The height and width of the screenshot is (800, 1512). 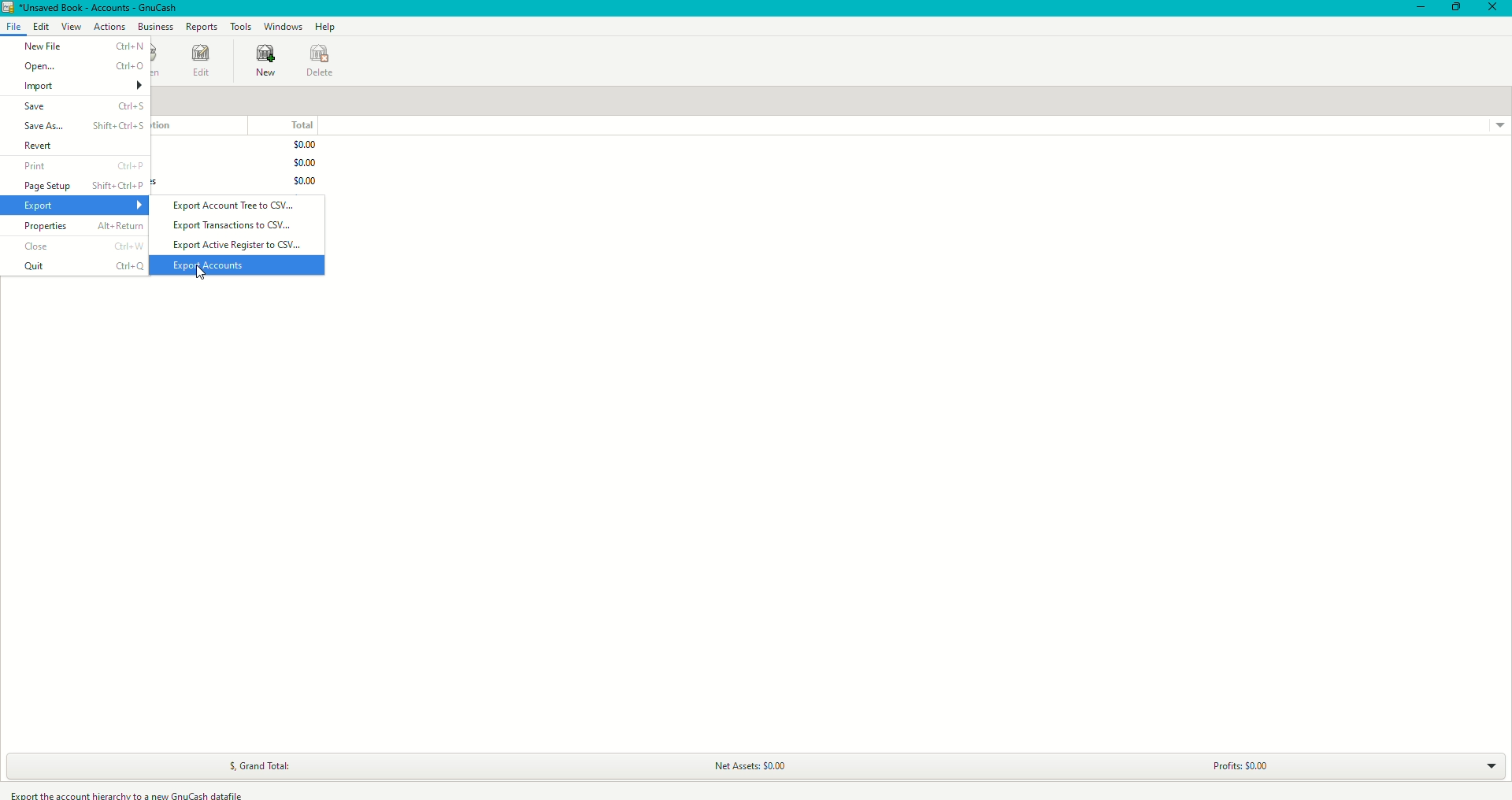 I want to click on Help, so click(x=325, y=27).